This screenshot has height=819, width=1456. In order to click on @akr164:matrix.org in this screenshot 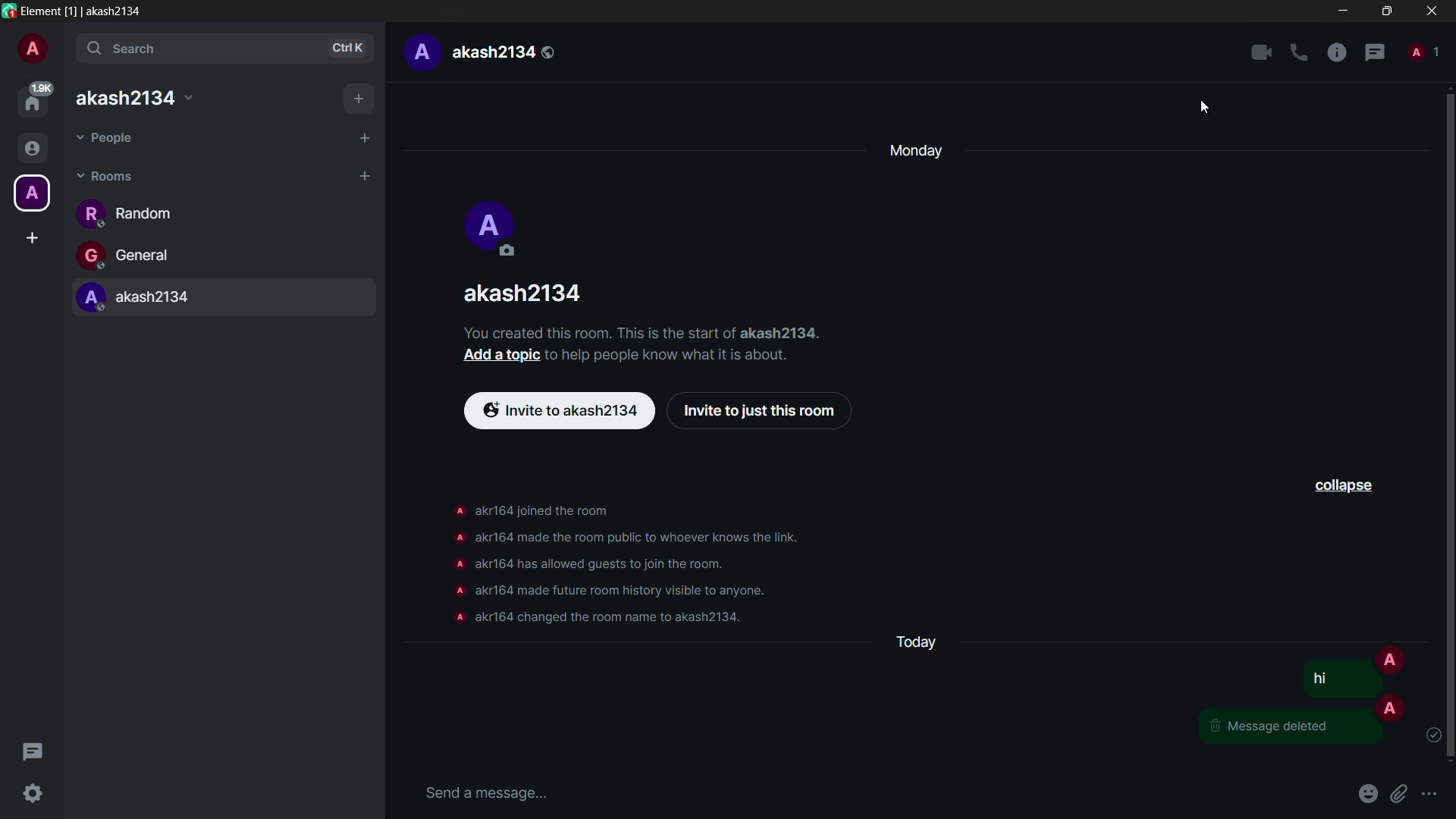, I will do `click(149, 96)`.